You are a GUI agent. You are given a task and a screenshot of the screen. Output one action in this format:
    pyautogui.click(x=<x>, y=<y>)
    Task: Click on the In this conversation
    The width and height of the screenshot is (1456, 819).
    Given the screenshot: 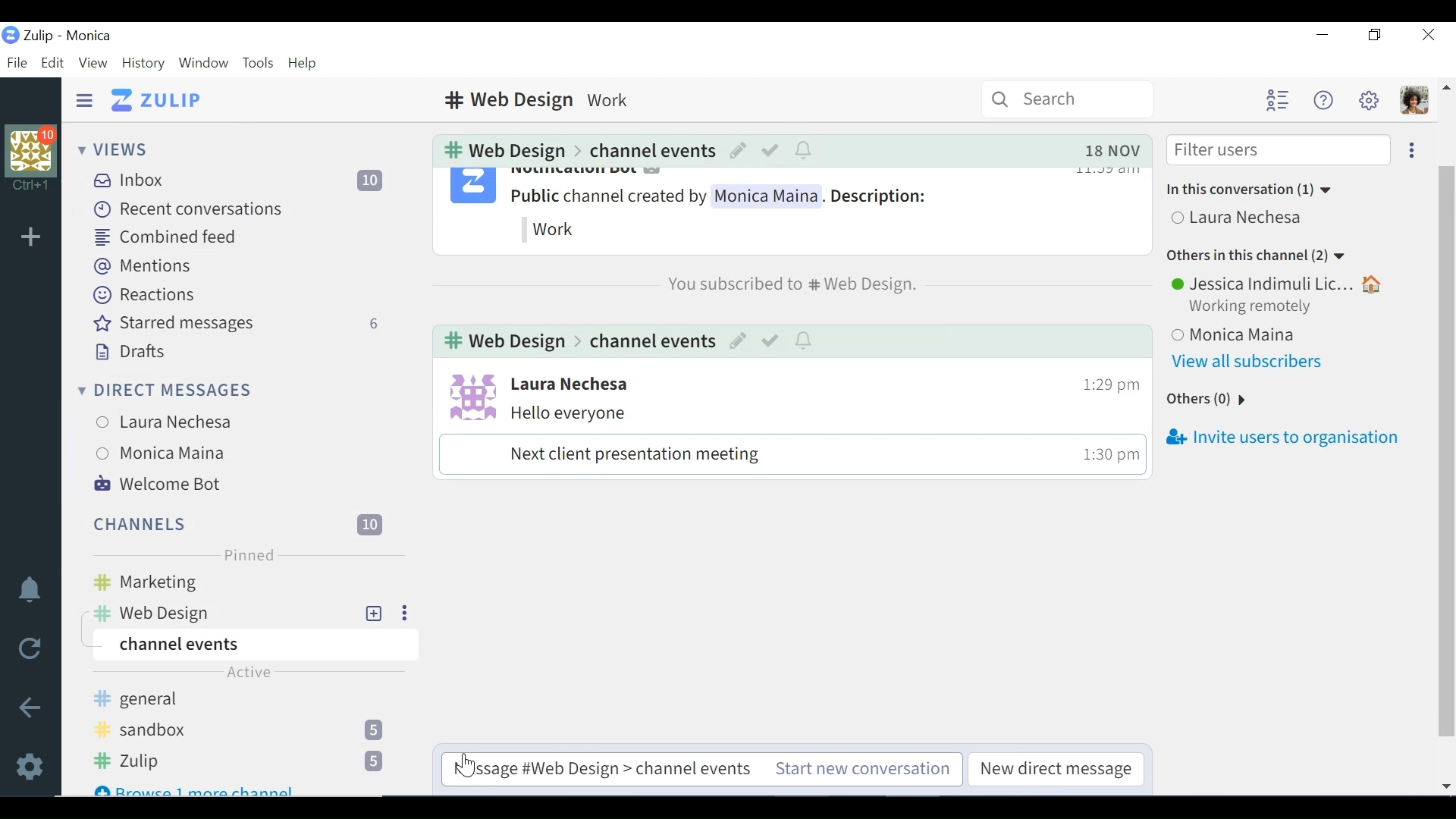 What is the action you would take?
    pyautogui.click(x=1252, y=190)
    